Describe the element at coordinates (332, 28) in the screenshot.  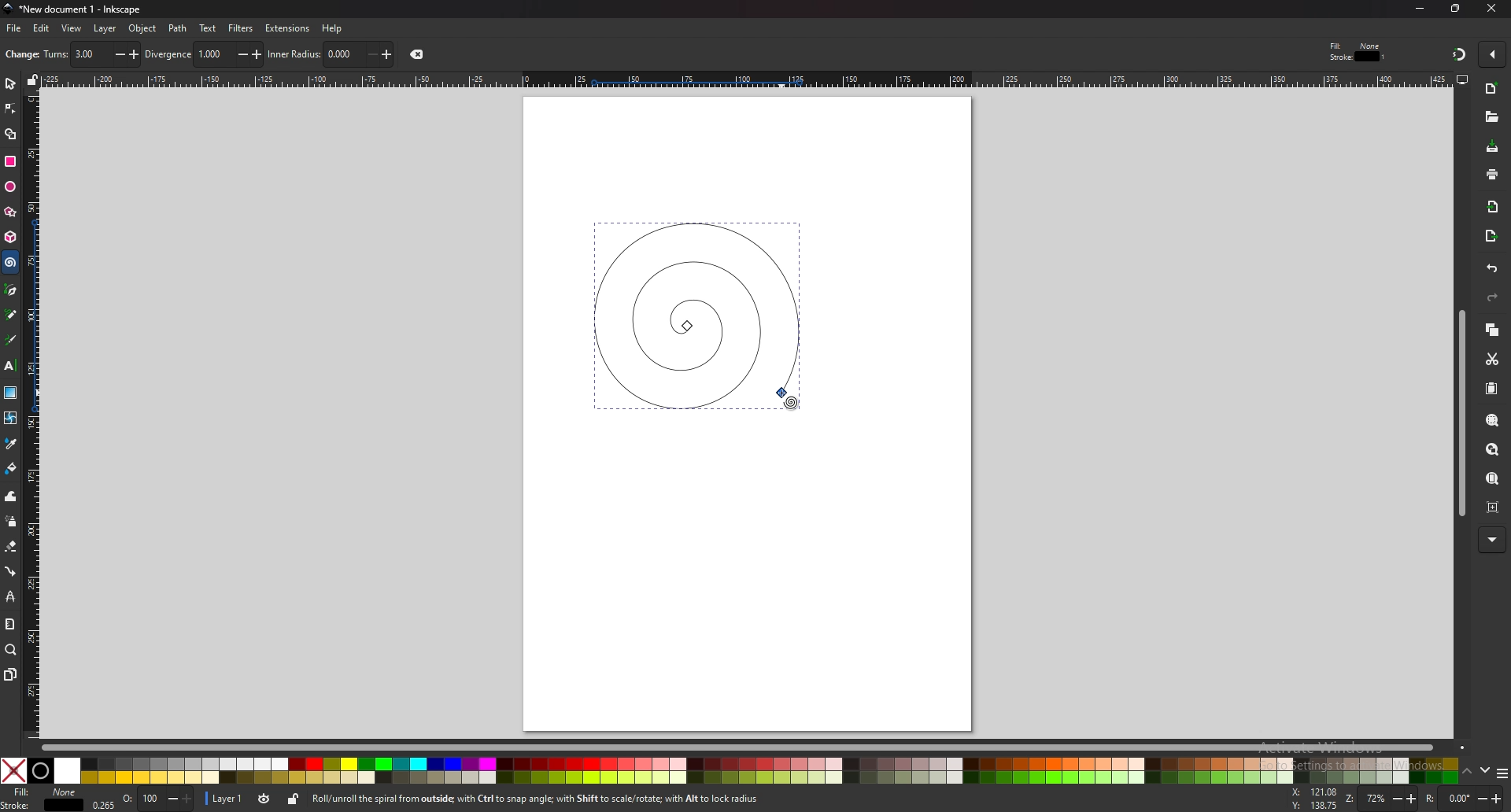
I see `help` at that location.